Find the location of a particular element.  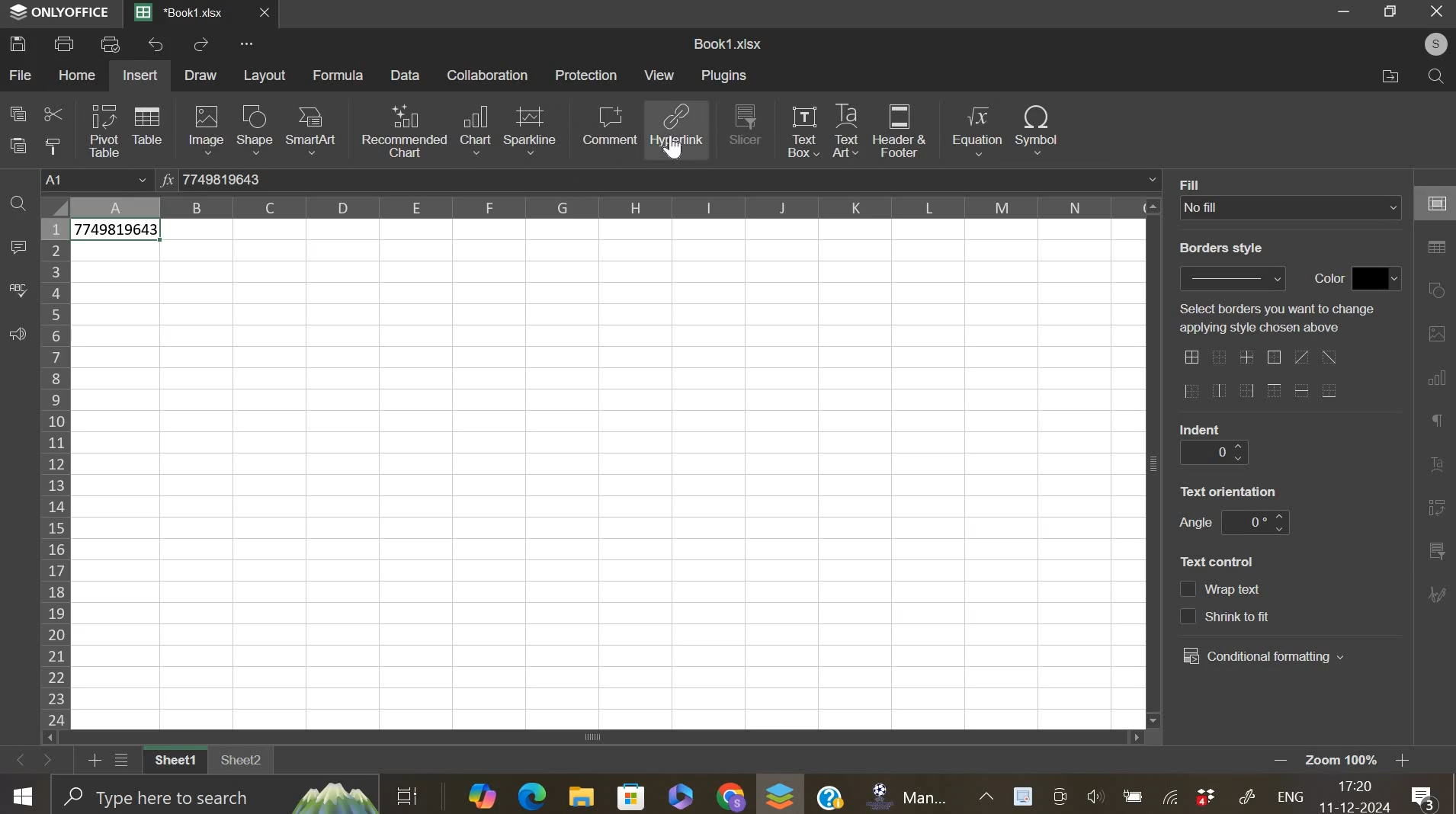

data is located at coordinates (407, 75).